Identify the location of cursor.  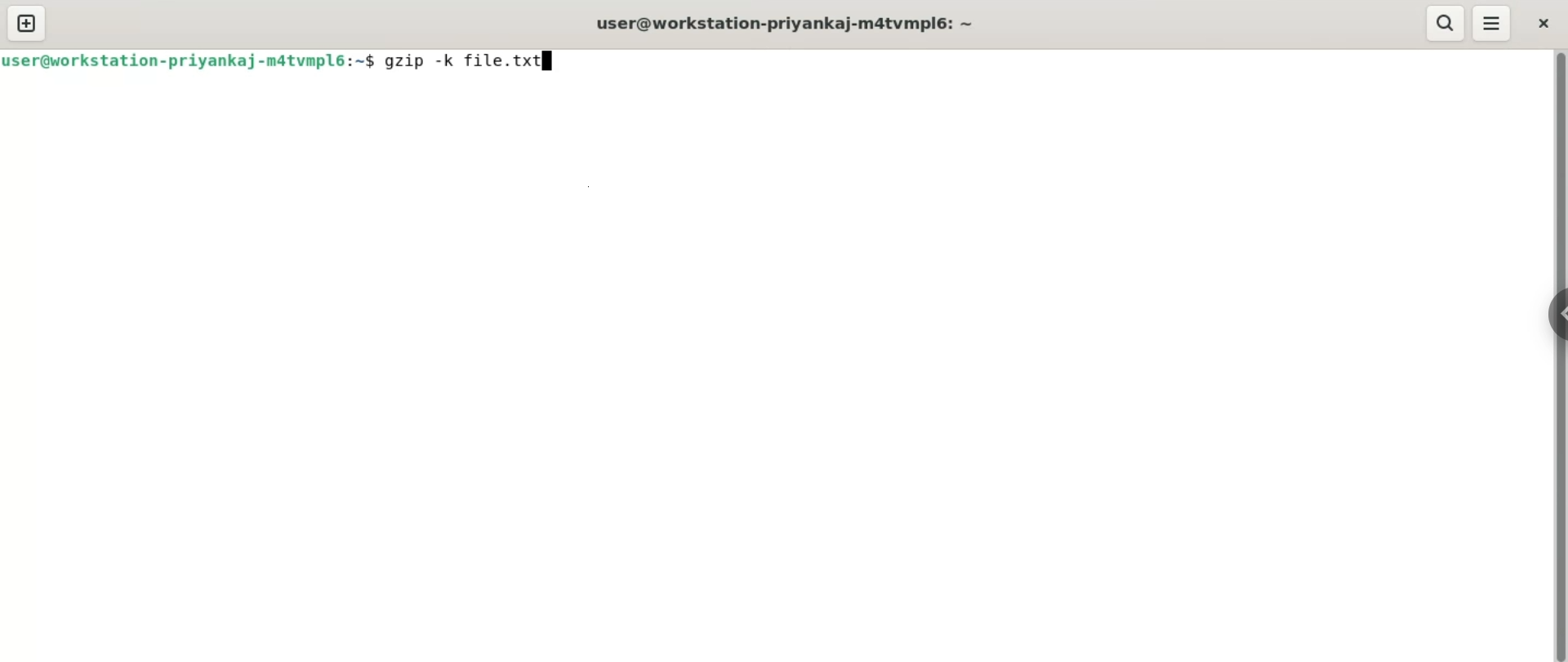
(559, 65).